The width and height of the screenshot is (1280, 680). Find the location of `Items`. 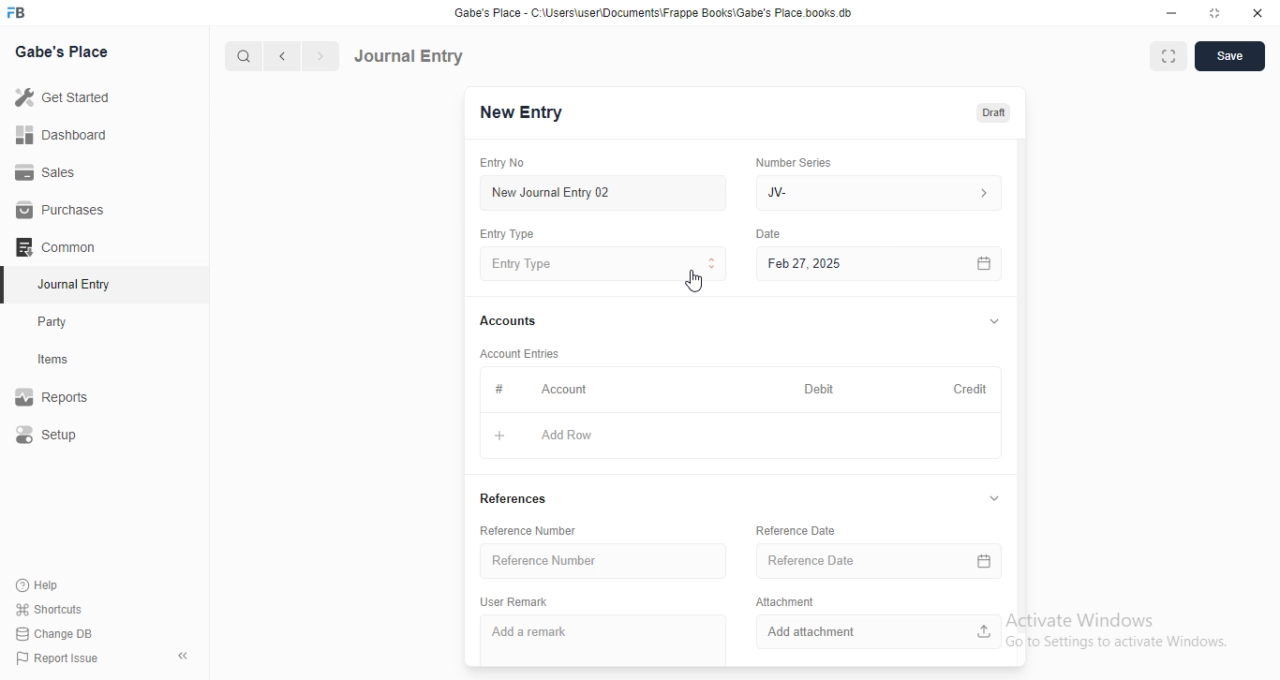

Items is located at coordinates (55, 360).